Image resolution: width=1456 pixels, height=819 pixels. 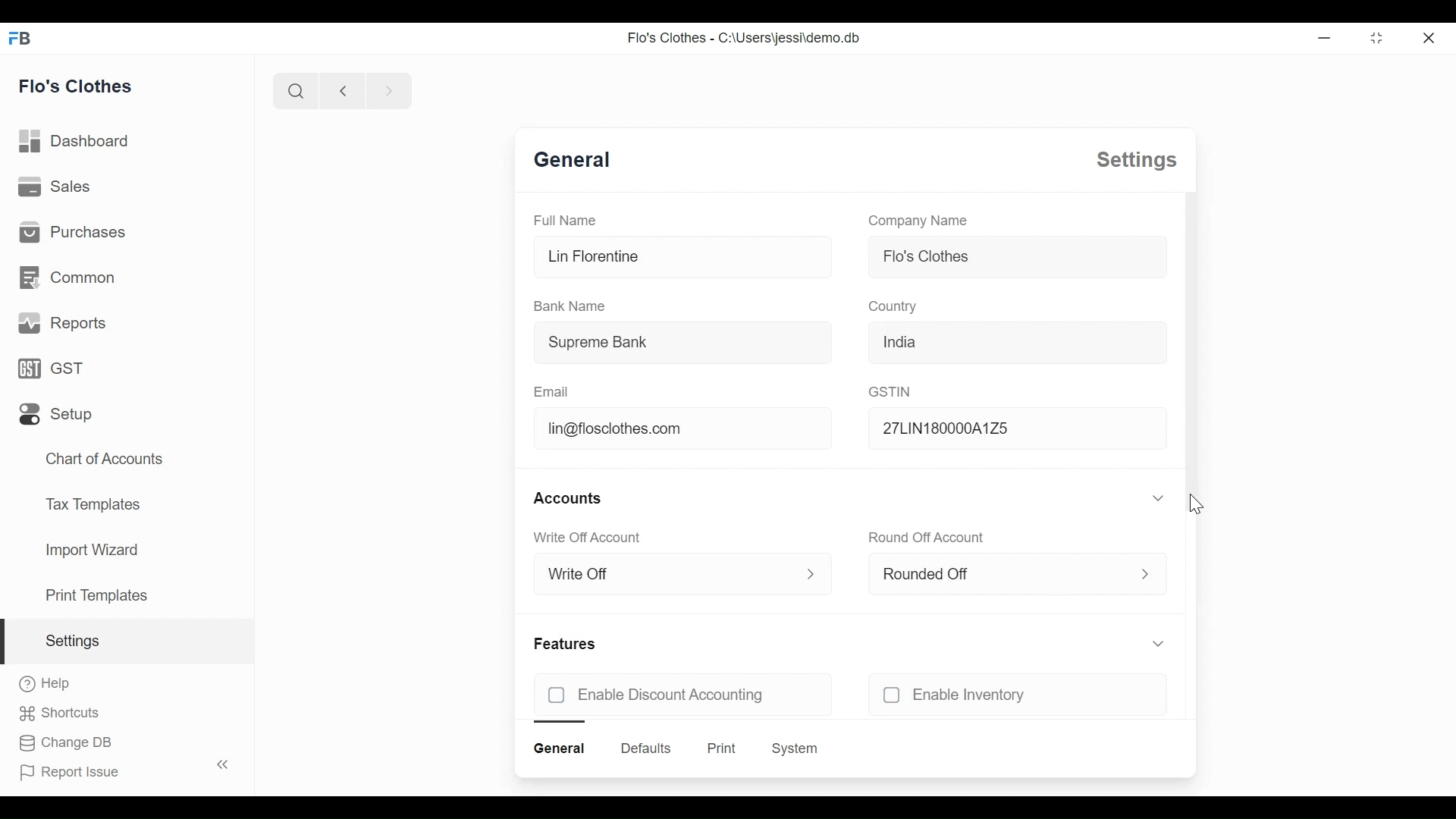 What do you see at coordinates (569, 497) in the screenshot?
I see `Accounts` at bounding box center [569, 497].